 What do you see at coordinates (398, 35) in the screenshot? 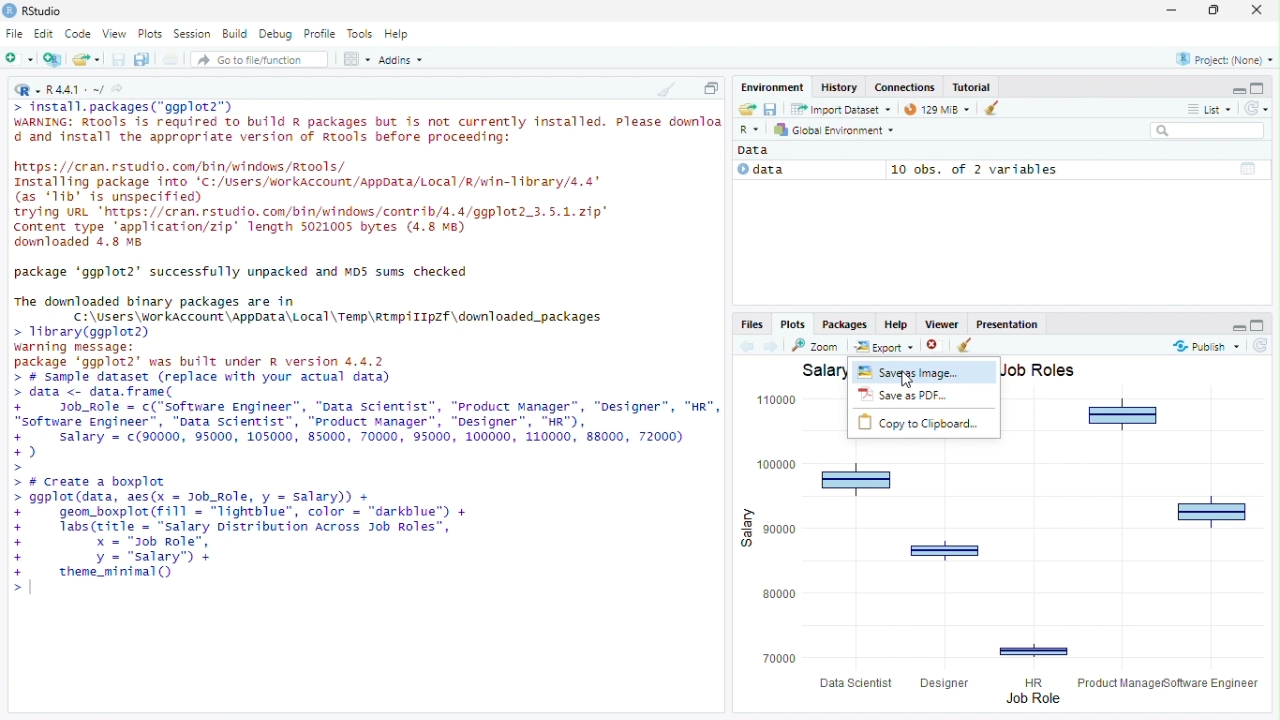
I see `Help` at bounding box center [398, 35].